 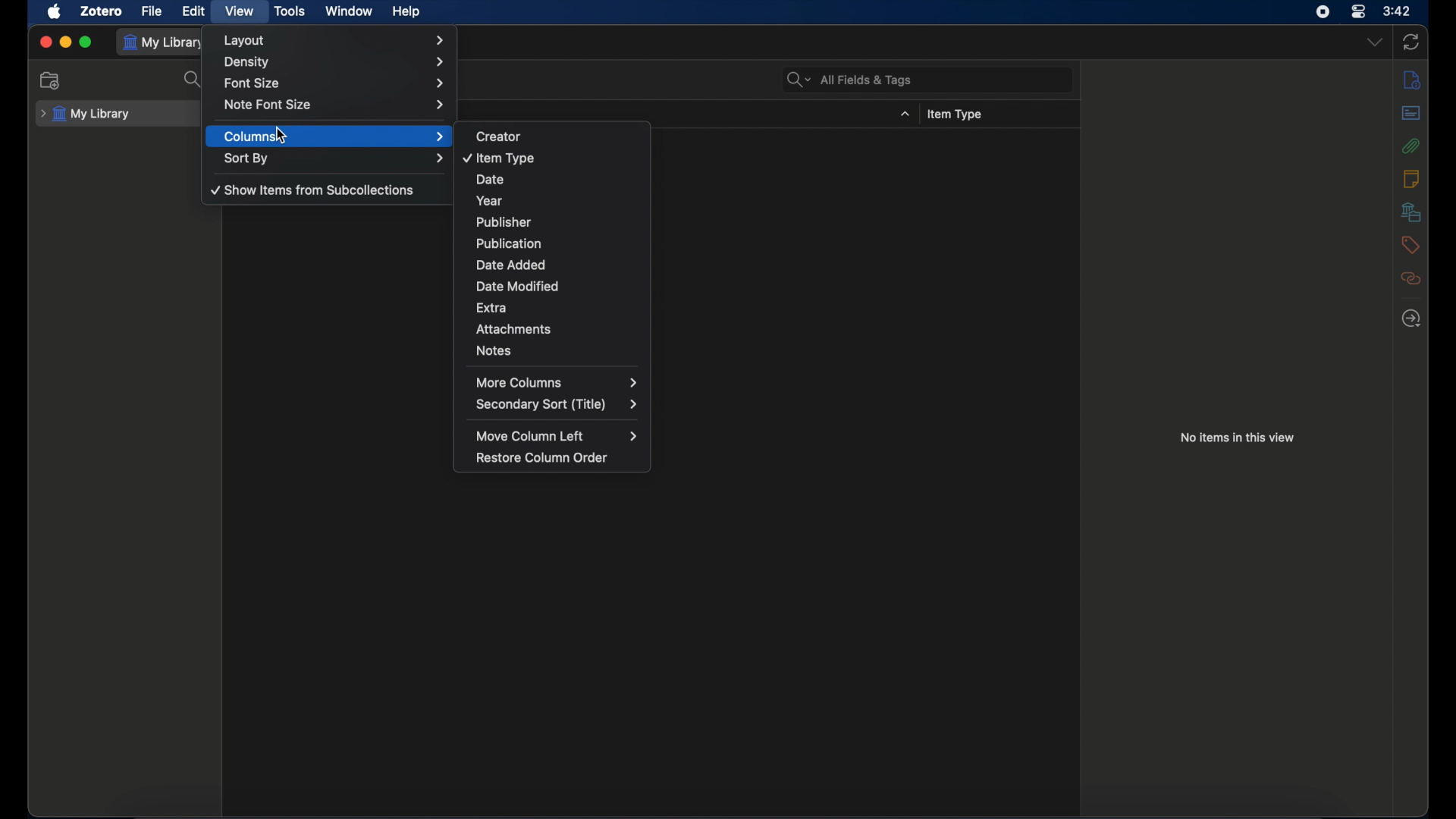 I want to click on note font size, so click(x=338, y=104).